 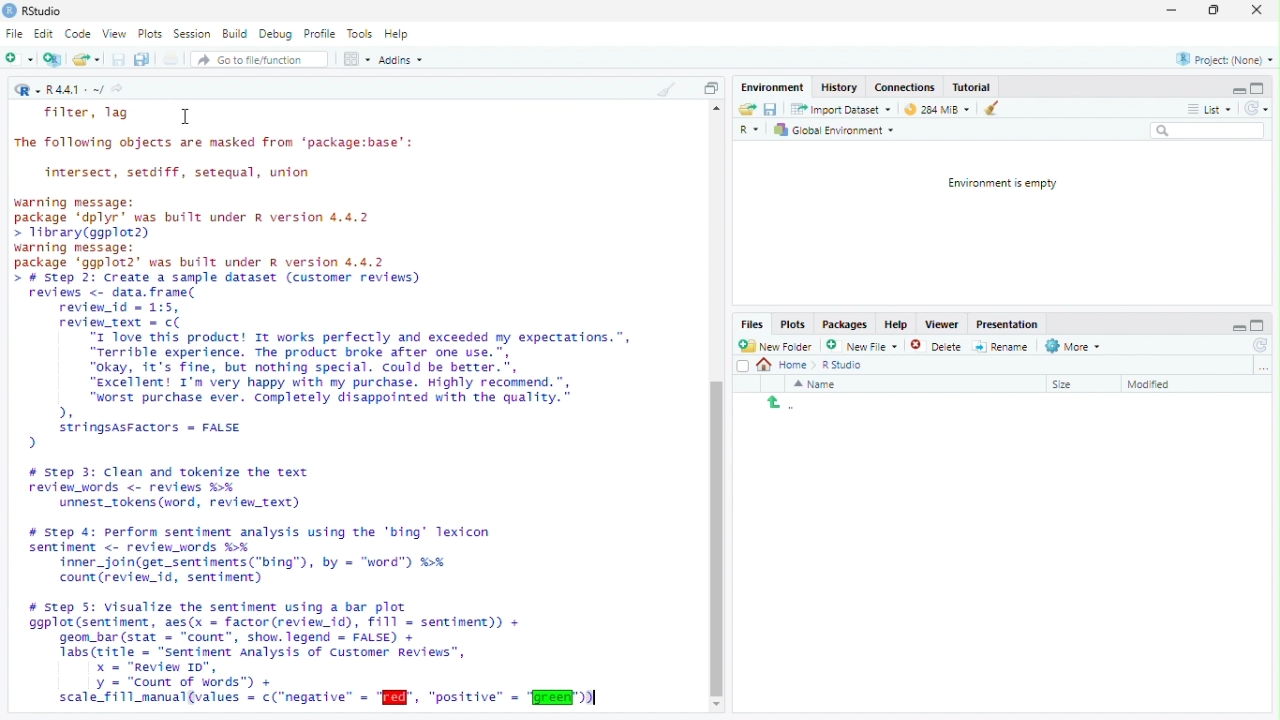 What do you see at coordinates (205, 233) in the screenshot?
I see `warning message:
package ‘dplyr’ was built under R version 4.4.2

> Vibrary(ggplot2)

warning message:

package ‘0oplot2’ was built under R version 4.4.2` at bounding box center [205, 233].